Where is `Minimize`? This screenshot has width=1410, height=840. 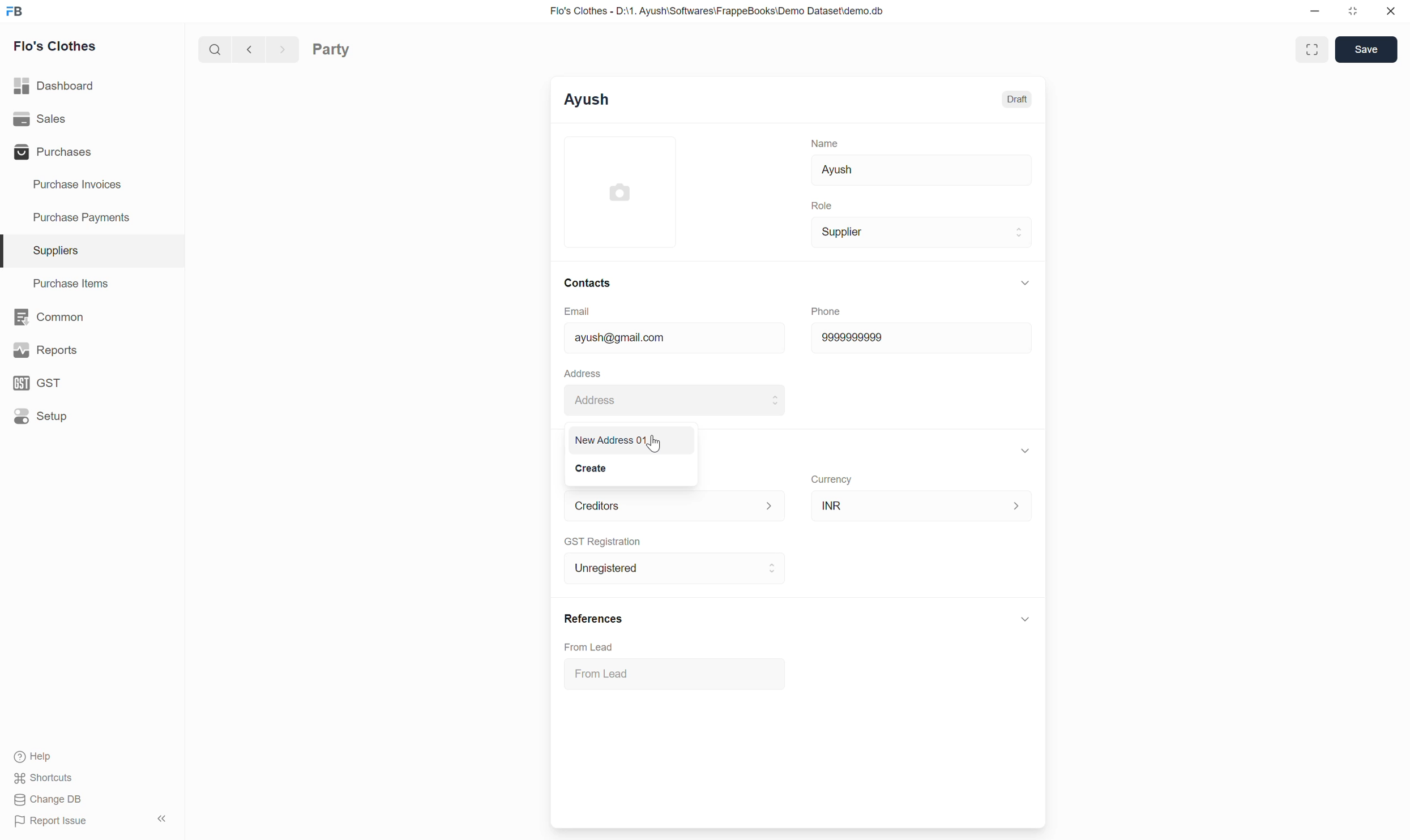
Minimize is located at coordinates (1315, 11).